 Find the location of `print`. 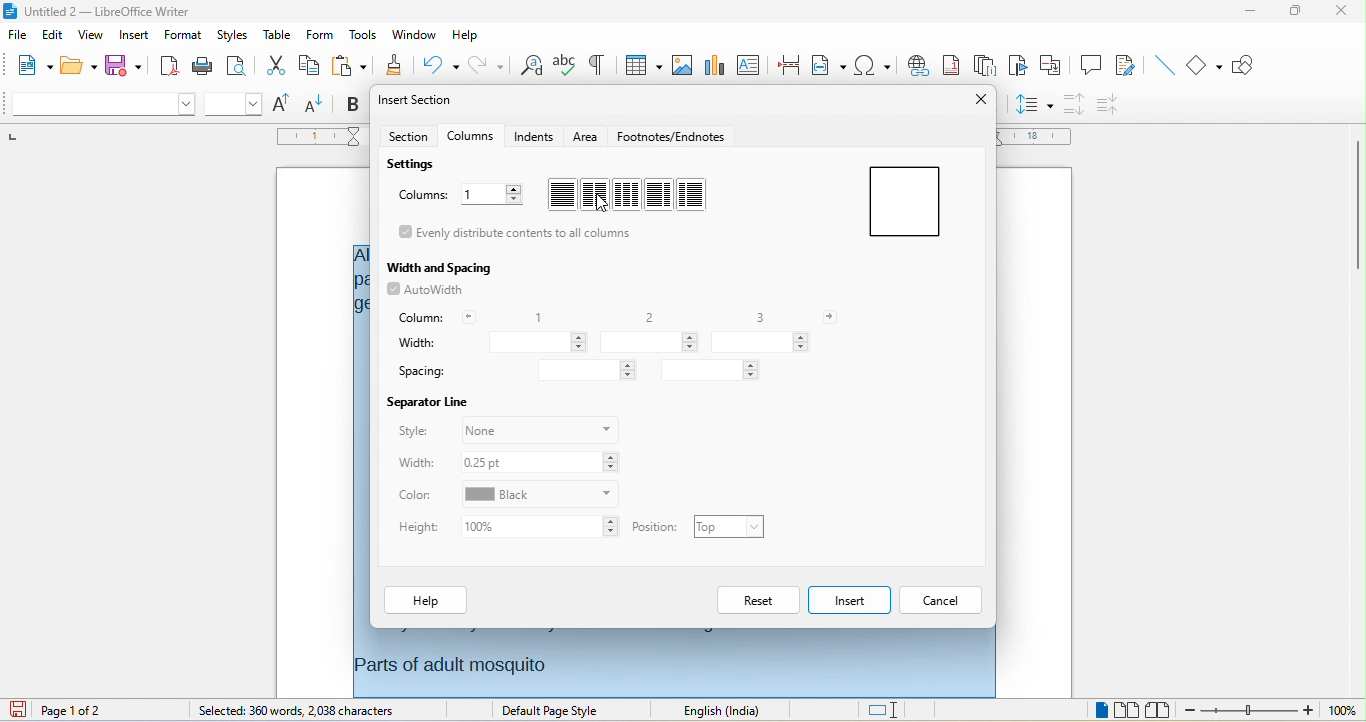

print is located at coordinates (203, 64).